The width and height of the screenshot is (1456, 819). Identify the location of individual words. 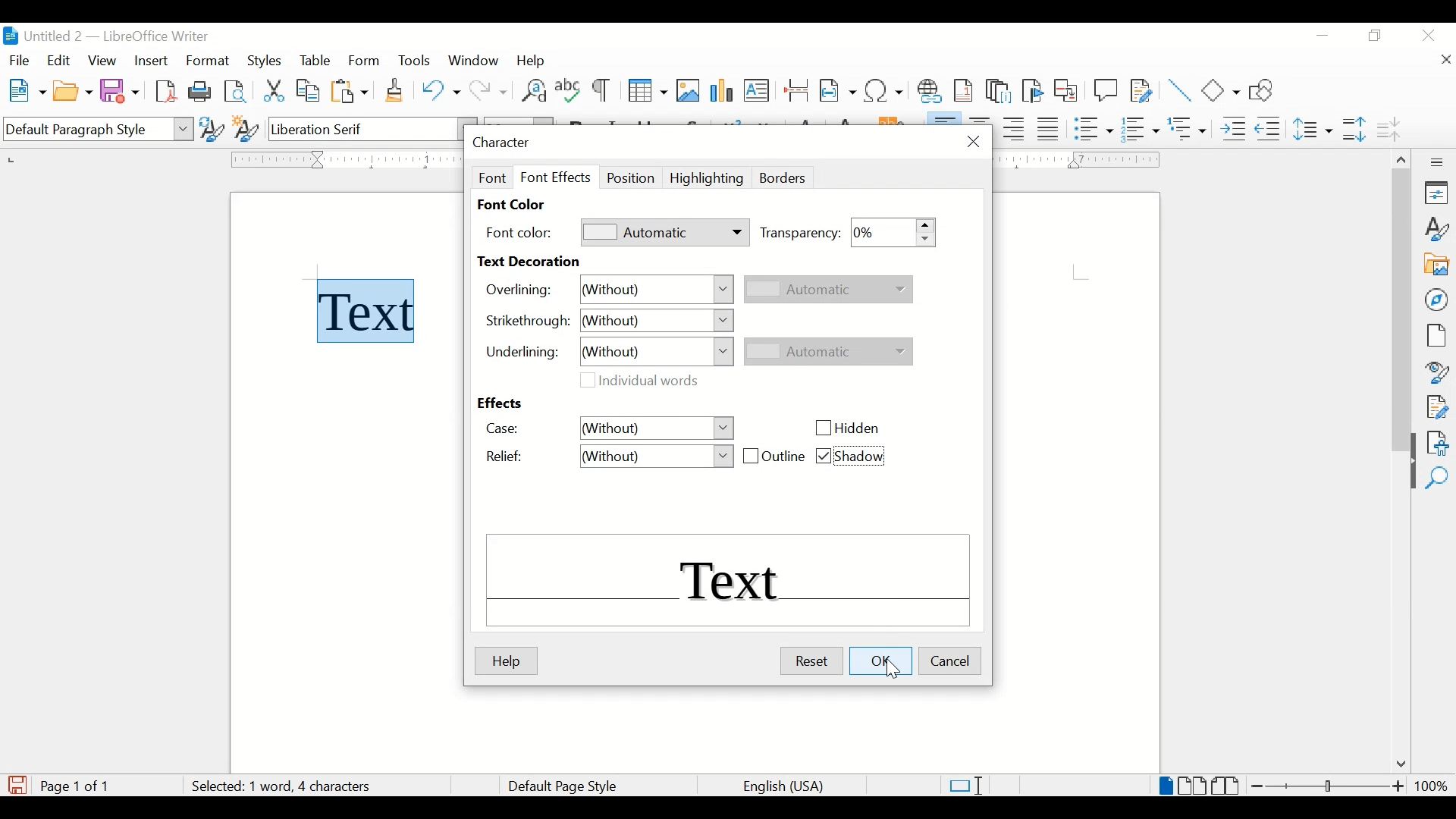
(639, 381).